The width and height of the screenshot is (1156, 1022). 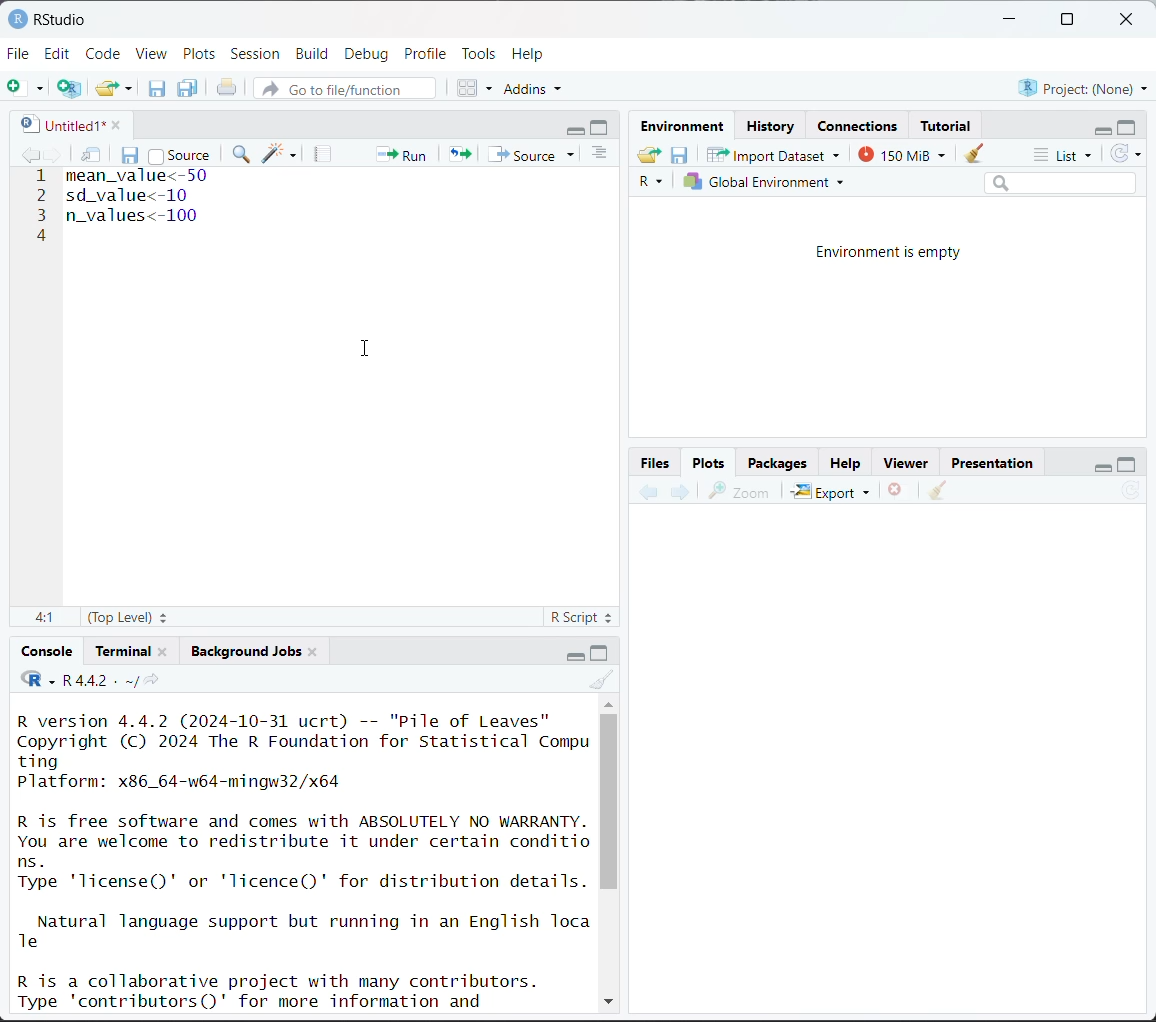 I want to click on Help, so click(x=530, y=53).